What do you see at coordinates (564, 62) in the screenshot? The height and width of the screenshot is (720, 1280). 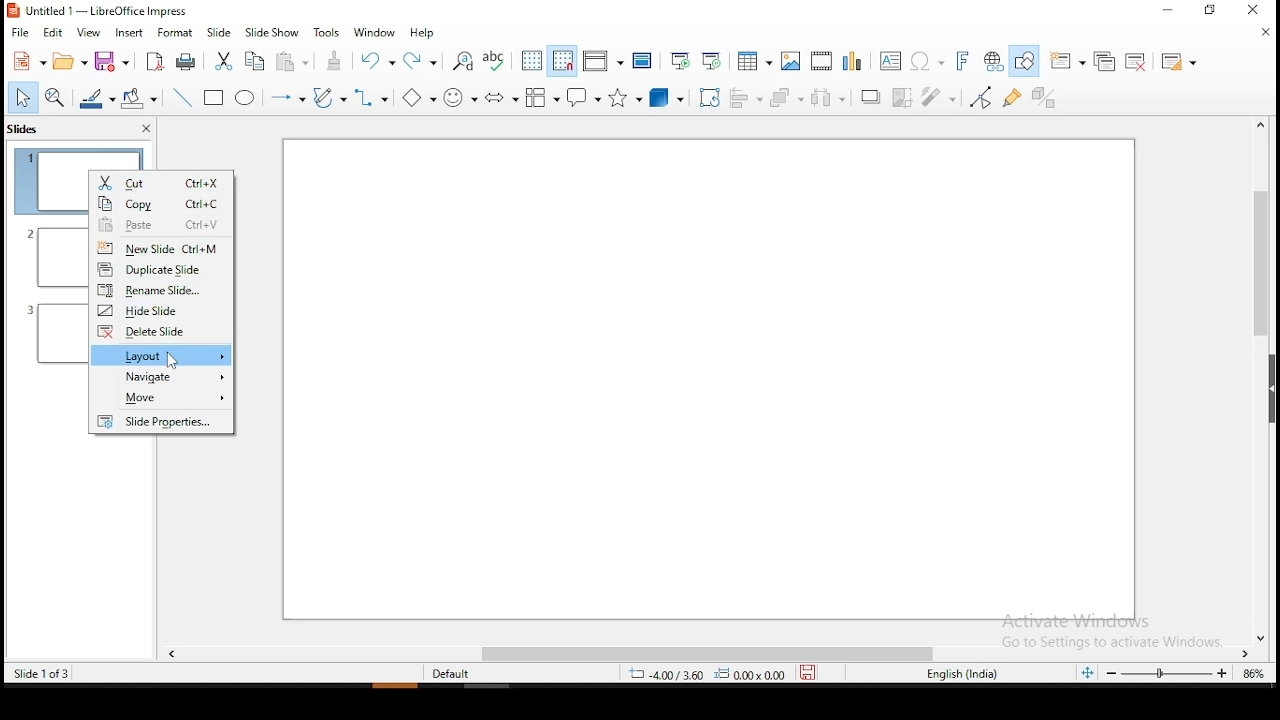 I see `snap to grid` at bounding box center [564, 62].